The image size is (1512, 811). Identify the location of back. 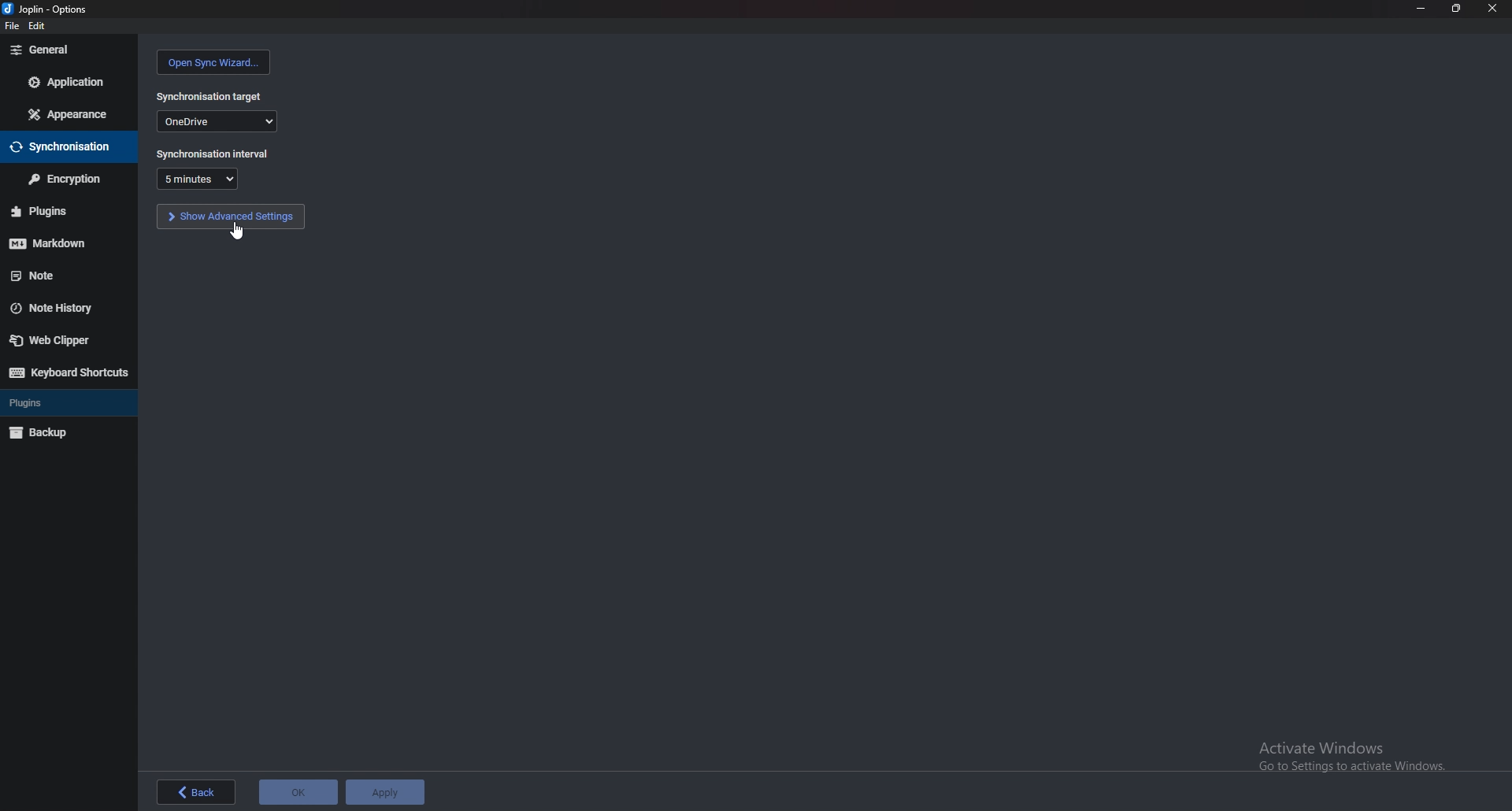
(198, 793).